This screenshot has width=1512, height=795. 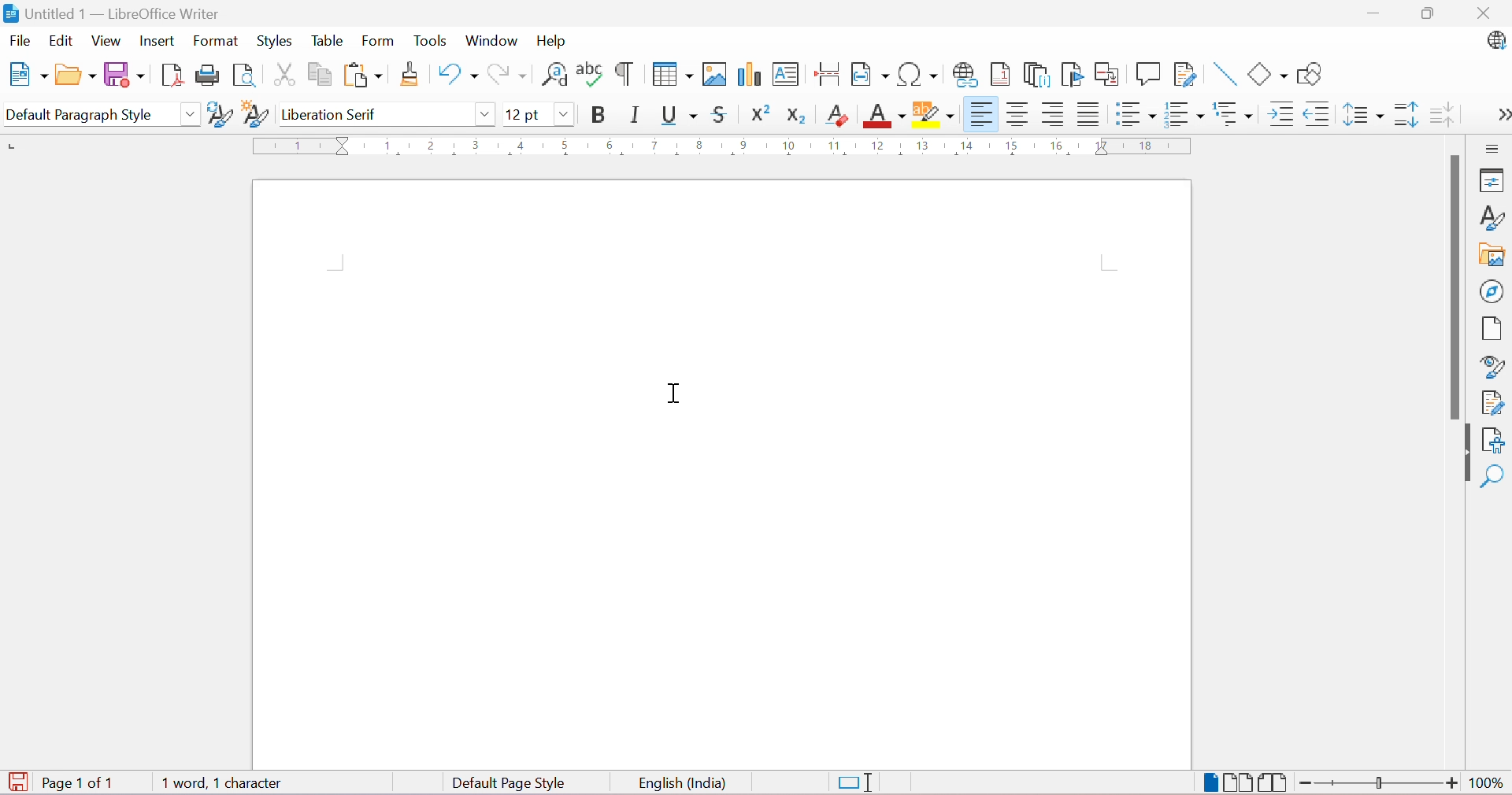 I want to click on Ruler, so click(x=724, y=146).